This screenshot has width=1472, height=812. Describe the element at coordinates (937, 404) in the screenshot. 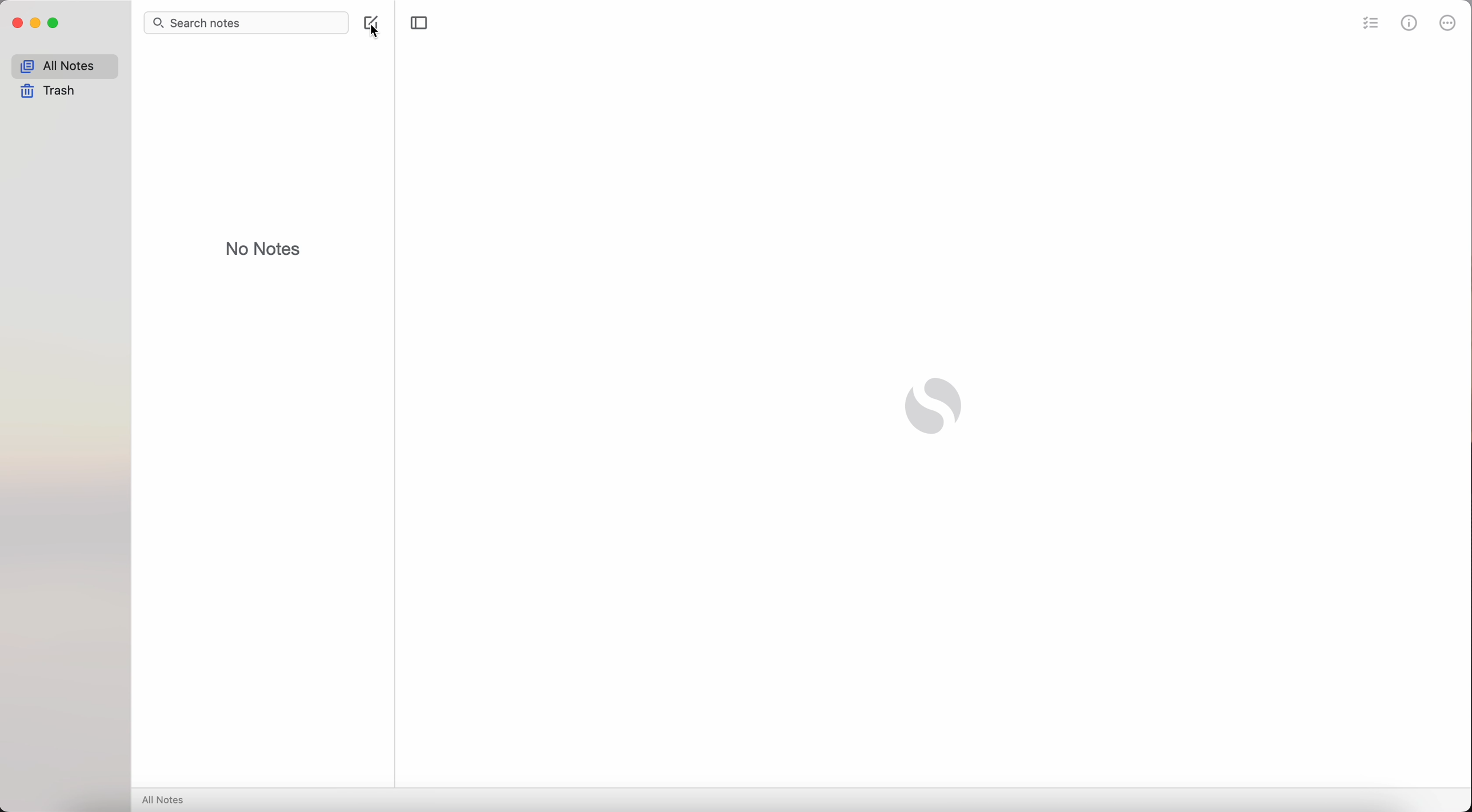

I see `Simplenote logo` at that location.